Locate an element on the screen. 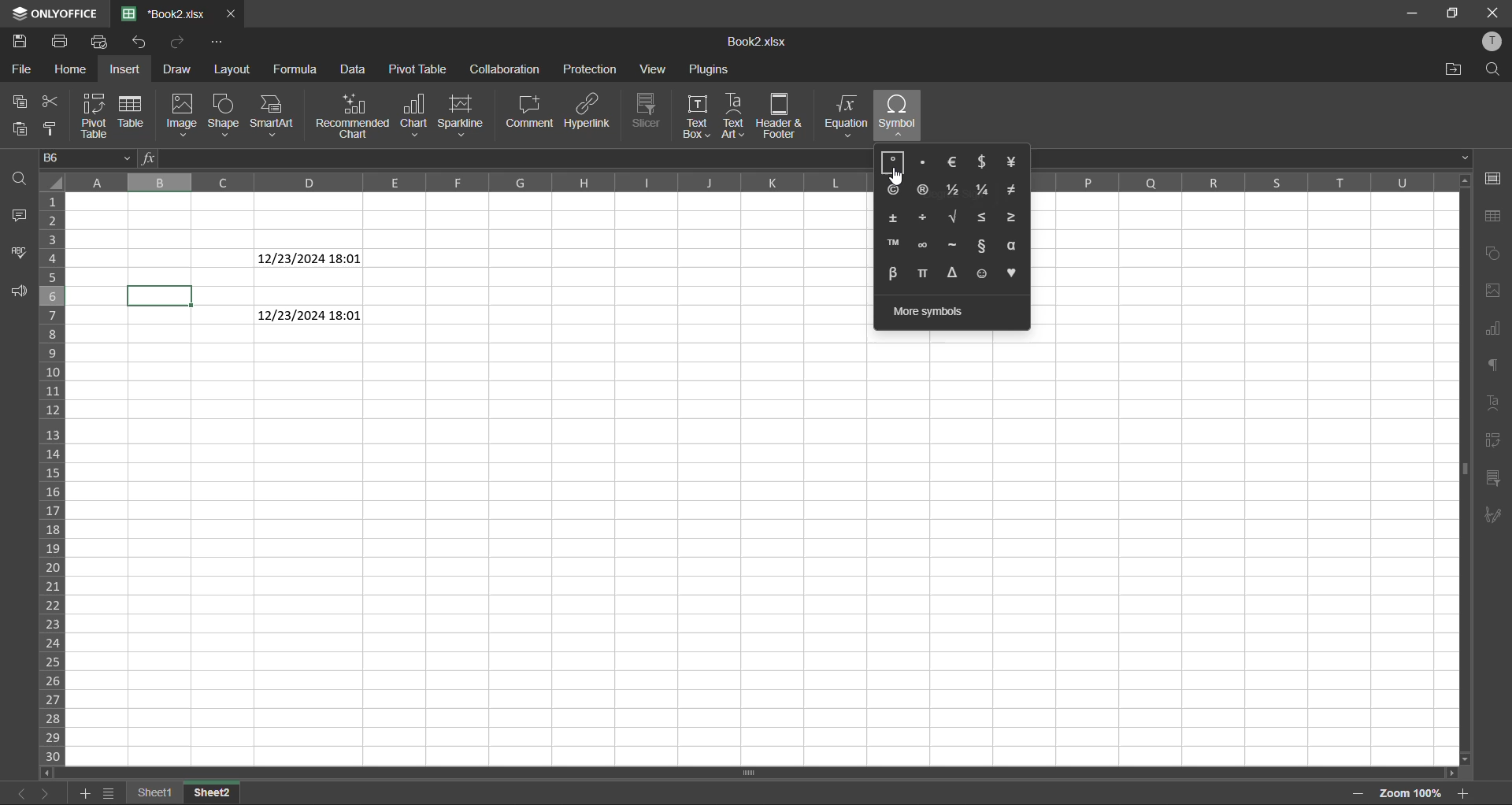 This screenshot has width=1512, height=805. header and footer is located at coordinates (786, 117).